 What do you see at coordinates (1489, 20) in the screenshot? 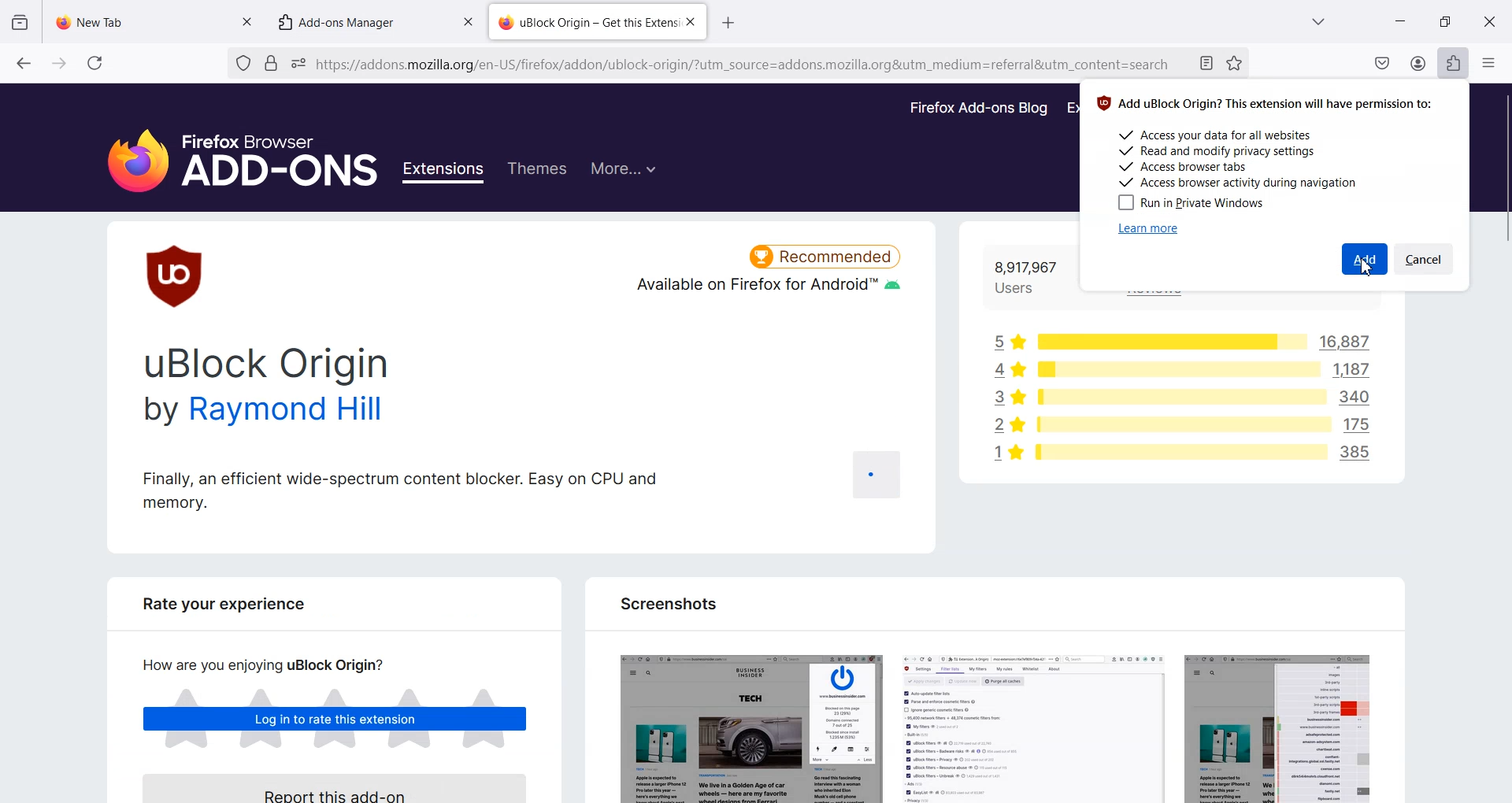
I see `Close` at bounding box center [1489, 20].